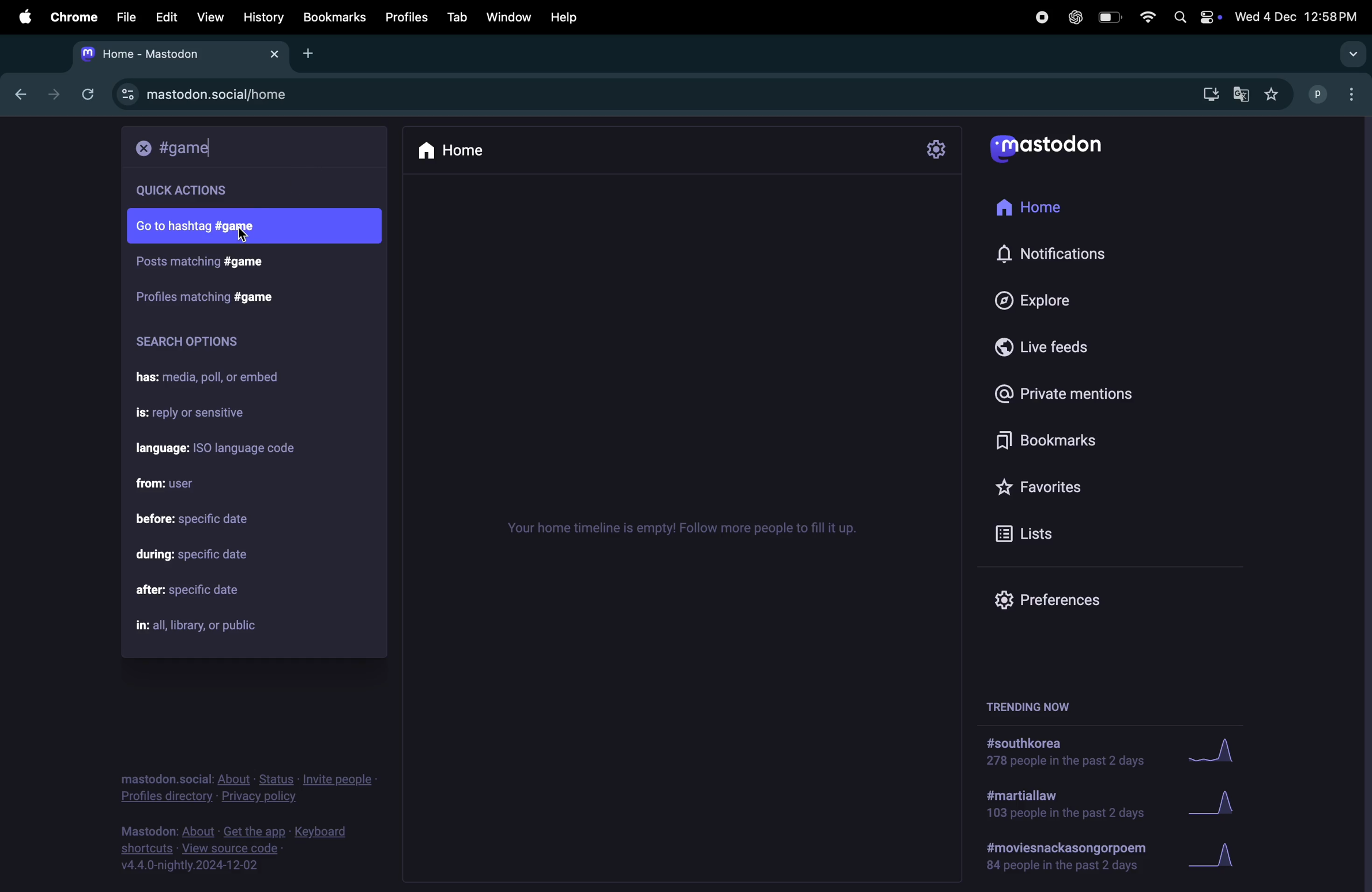 The image size is (1372, 892). What do you see at coordinates (207, 520) in the screenshot?
I see `before specific due` at bounding box center [207, 520].